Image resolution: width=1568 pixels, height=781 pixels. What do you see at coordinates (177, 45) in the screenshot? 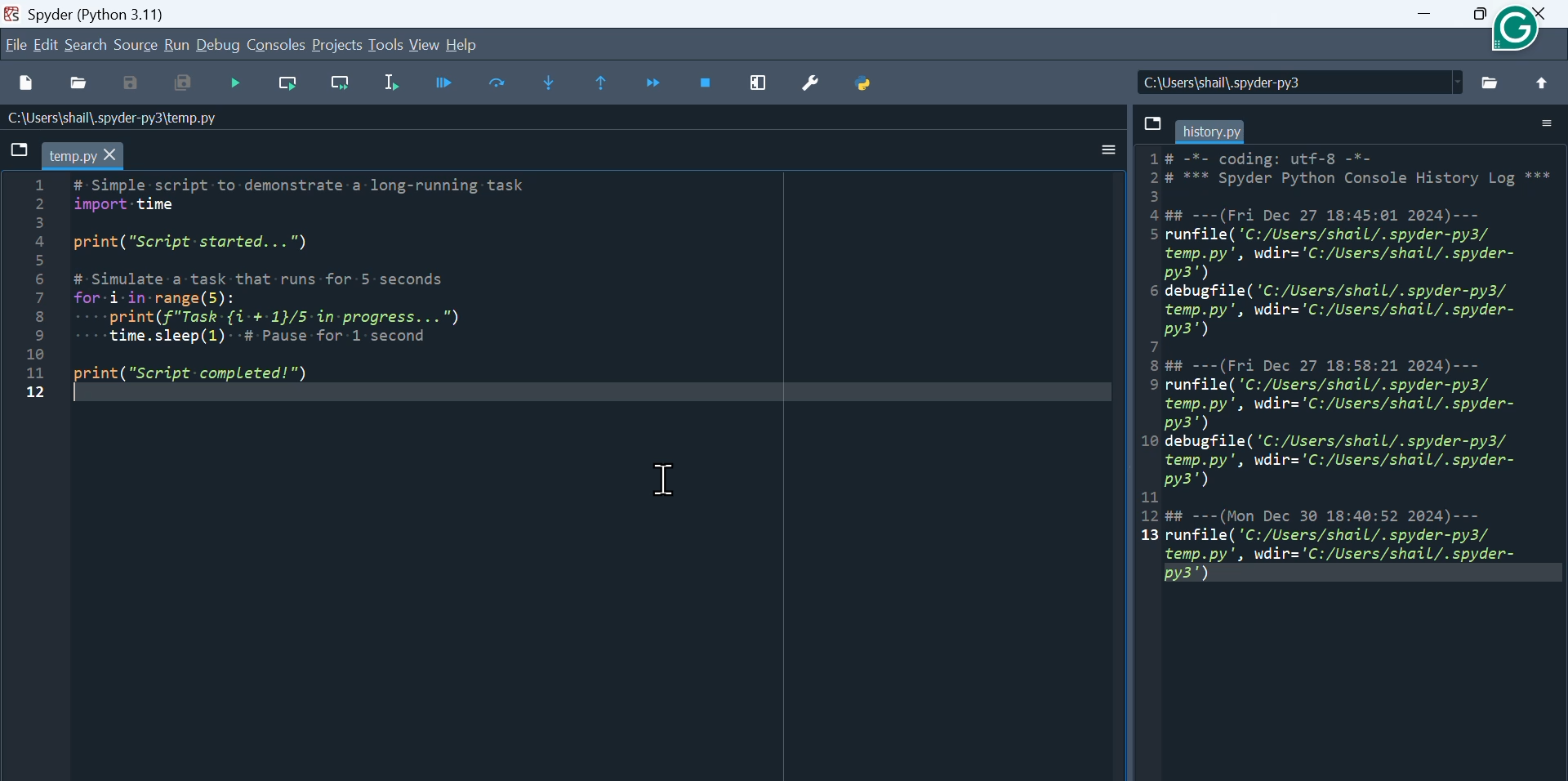
I see `Run` at bounding box center [177, 45].